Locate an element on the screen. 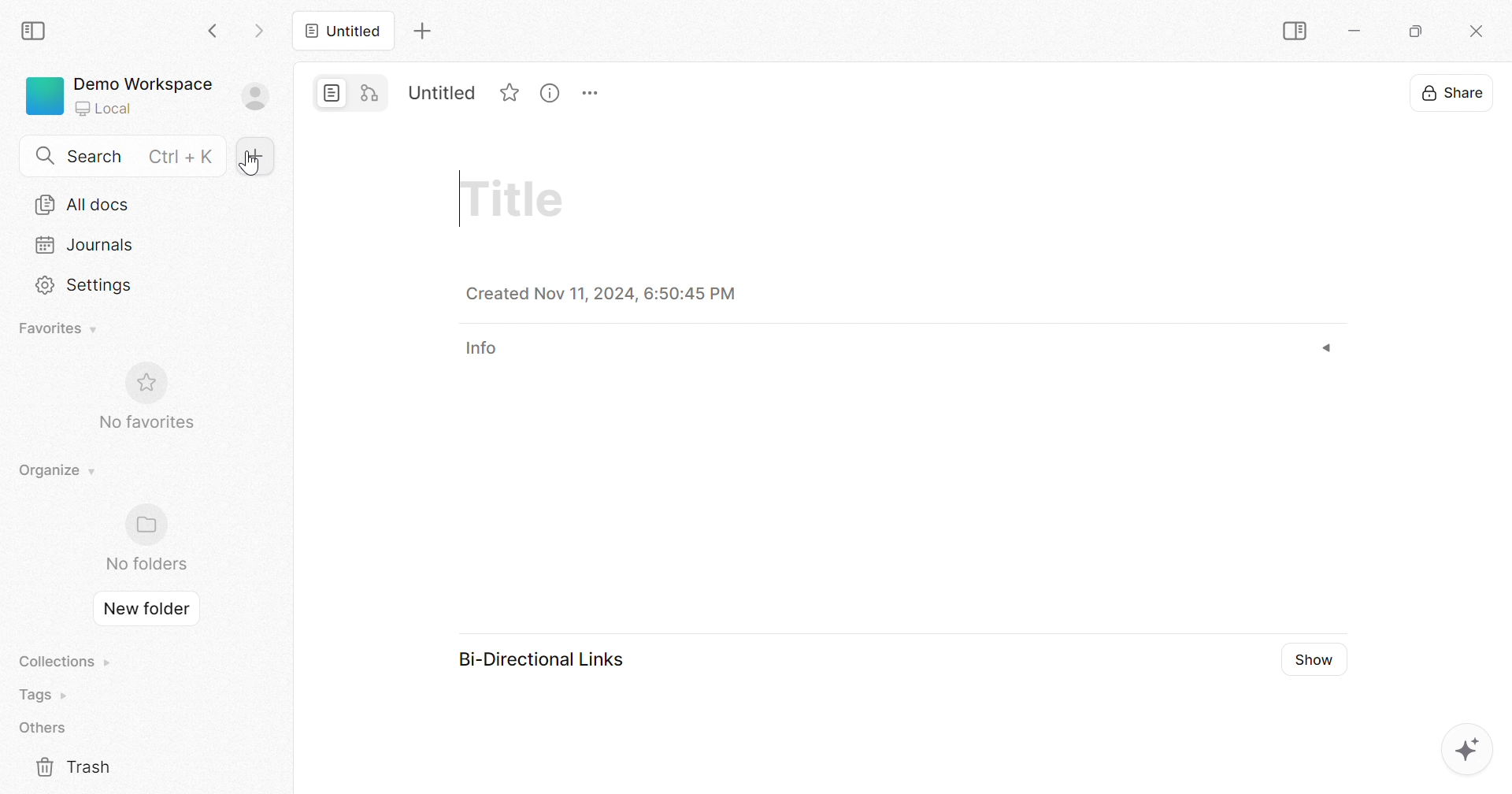 The width and height of the screenshot is (1512, 794). Collections is located at coordinates (66, 662).